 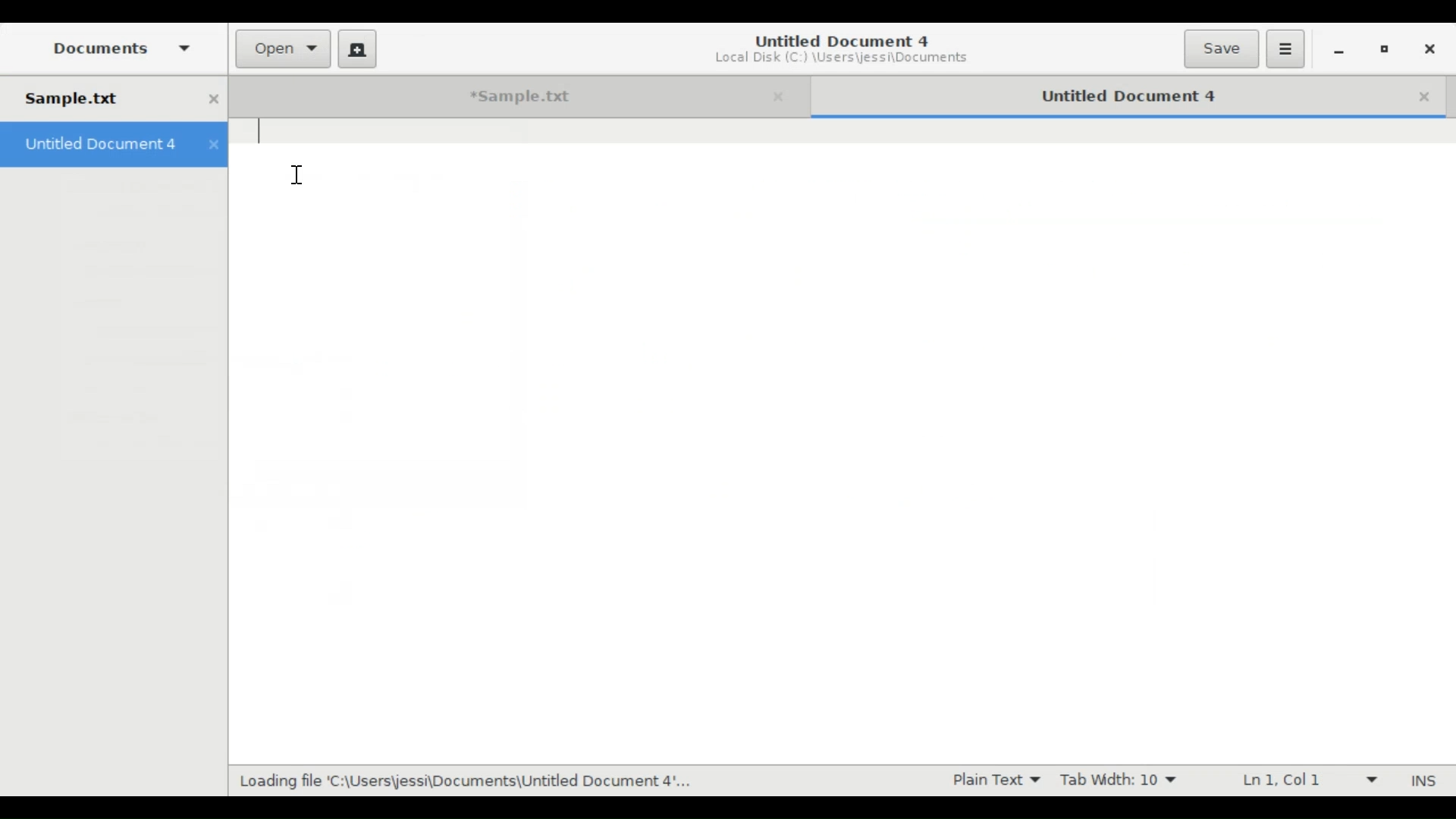 What do you see at coordinates (841, 60) in the screenshot?
I see `Local Disk (C:) \Users\jessi\Documents` at bounding box center [841, 60].